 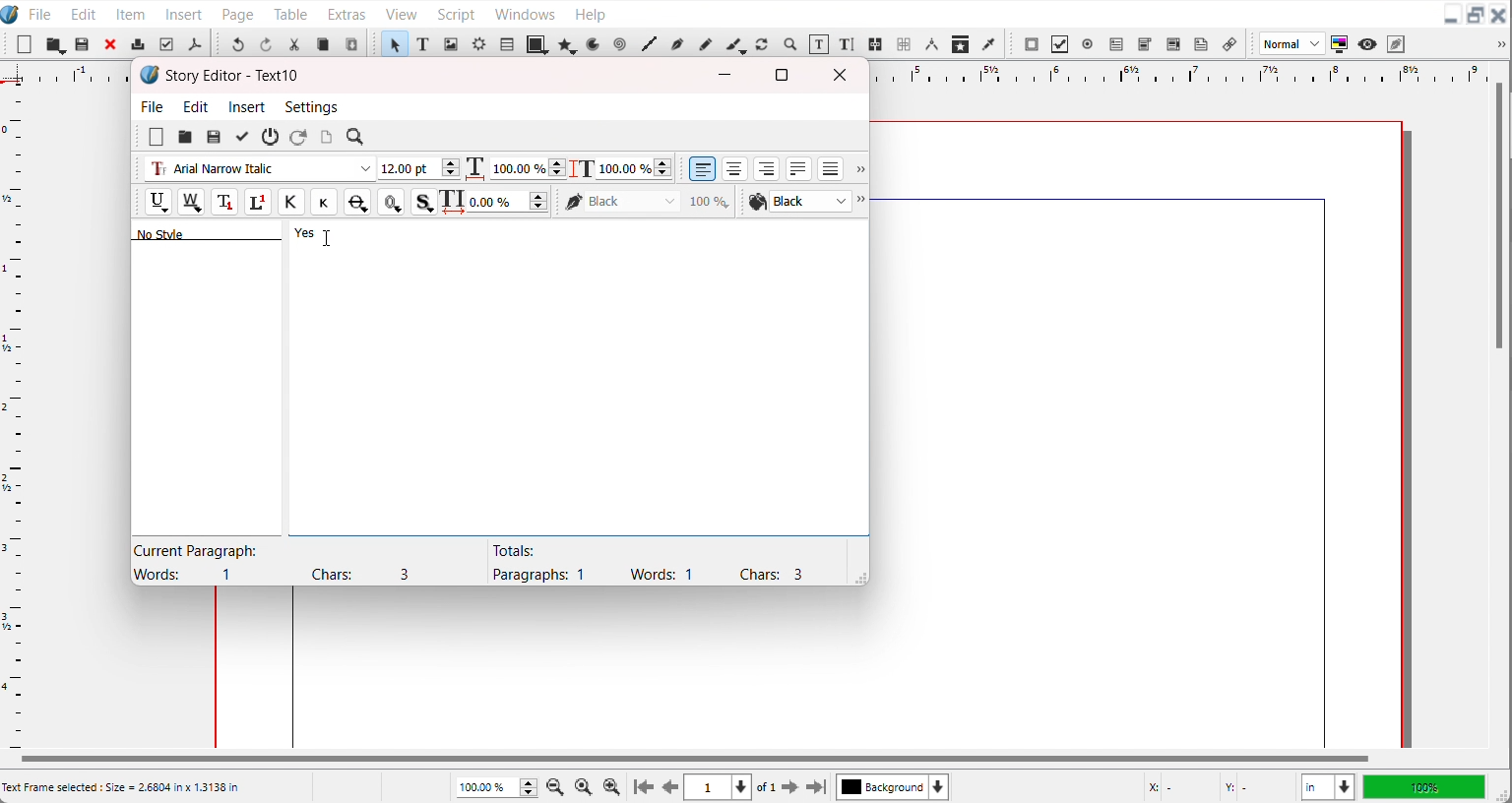 What do you see at coordinates (237, 13) in the screenshot?
I see `Page` at bounding box center [237, 13].